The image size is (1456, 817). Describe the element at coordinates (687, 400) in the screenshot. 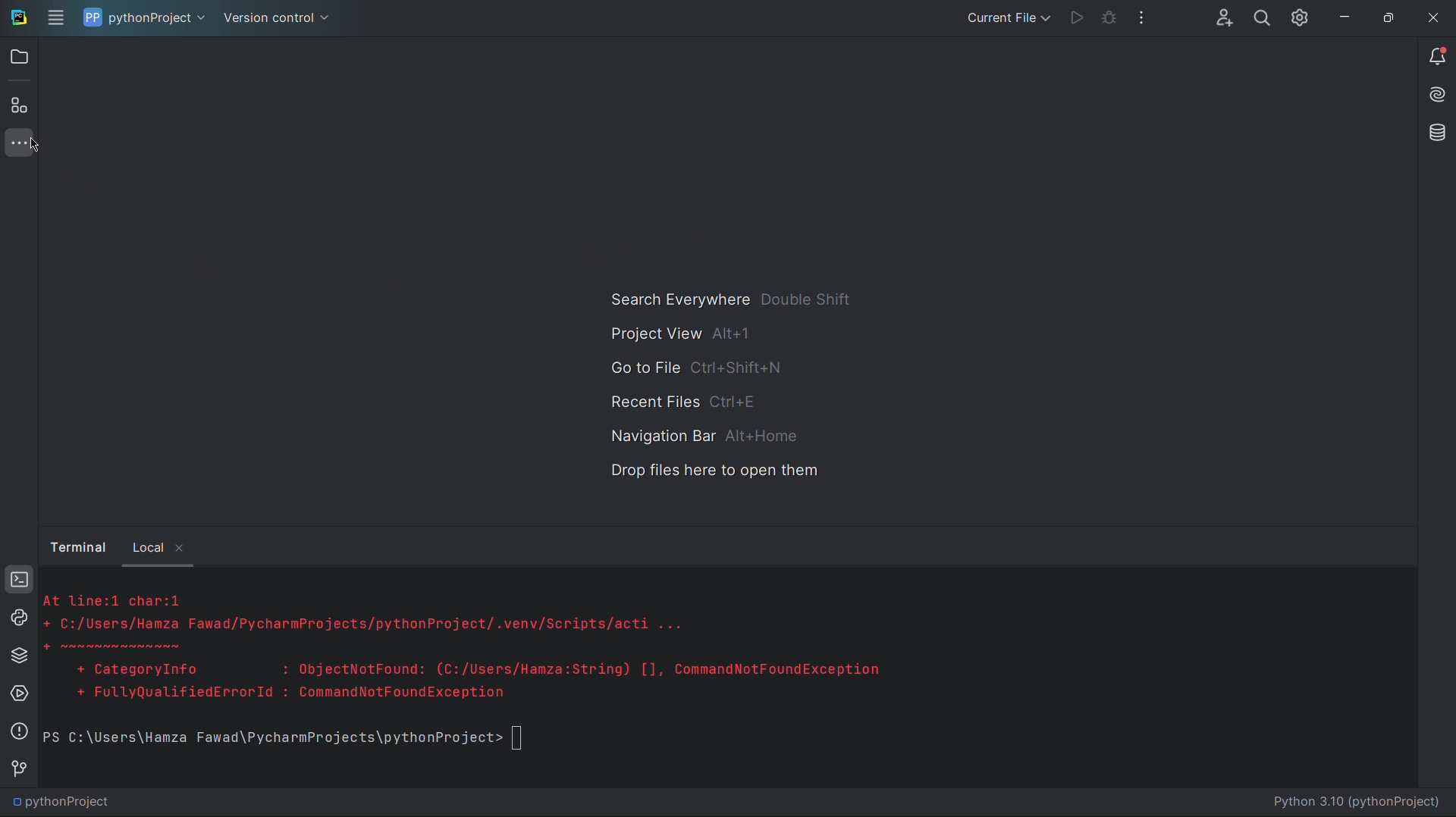

I see `Recent Files ctrl+e` at that location.